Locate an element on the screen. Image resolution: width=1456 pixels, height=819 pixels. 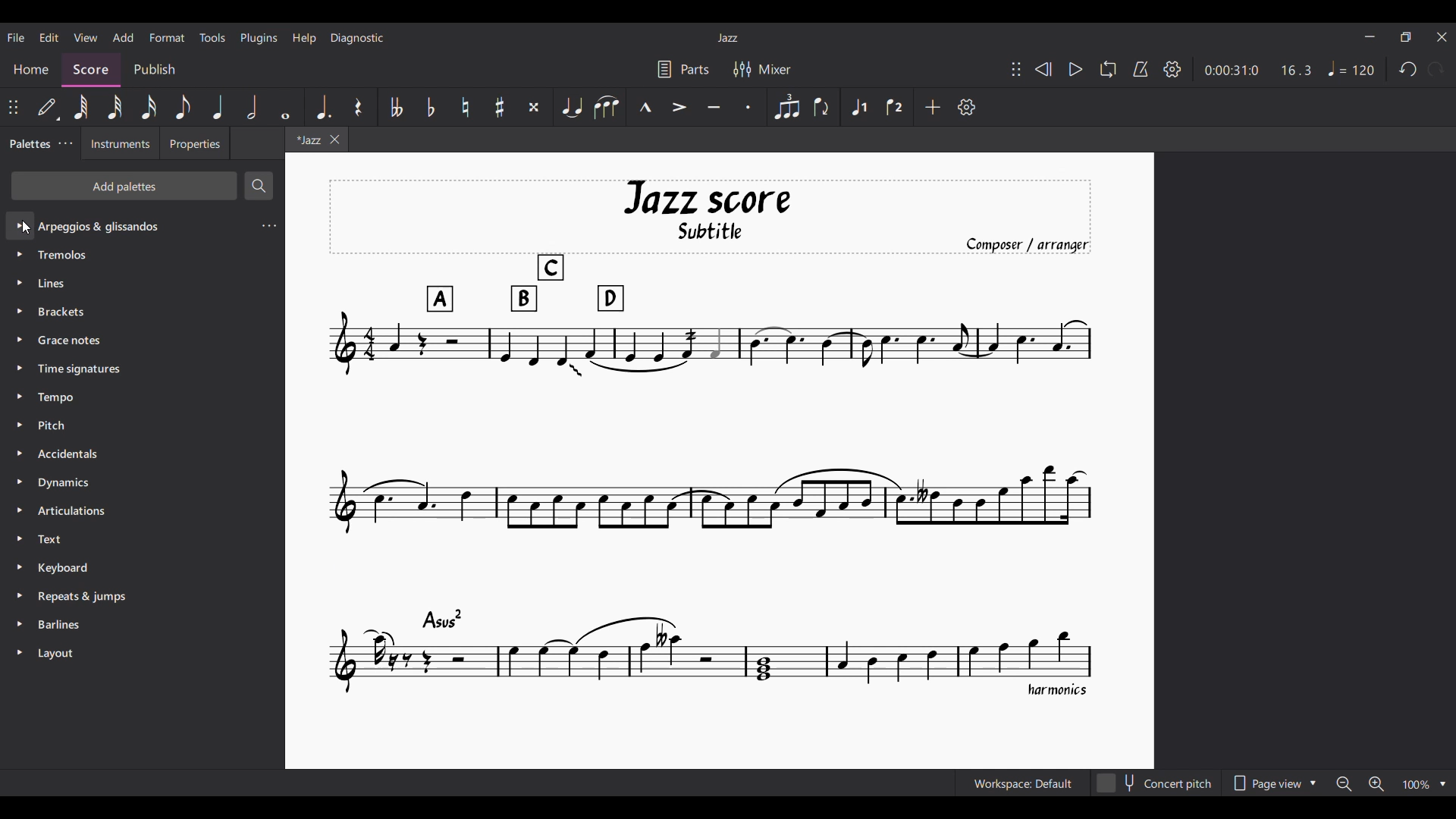
Slur is located at coordinates (606, 108).